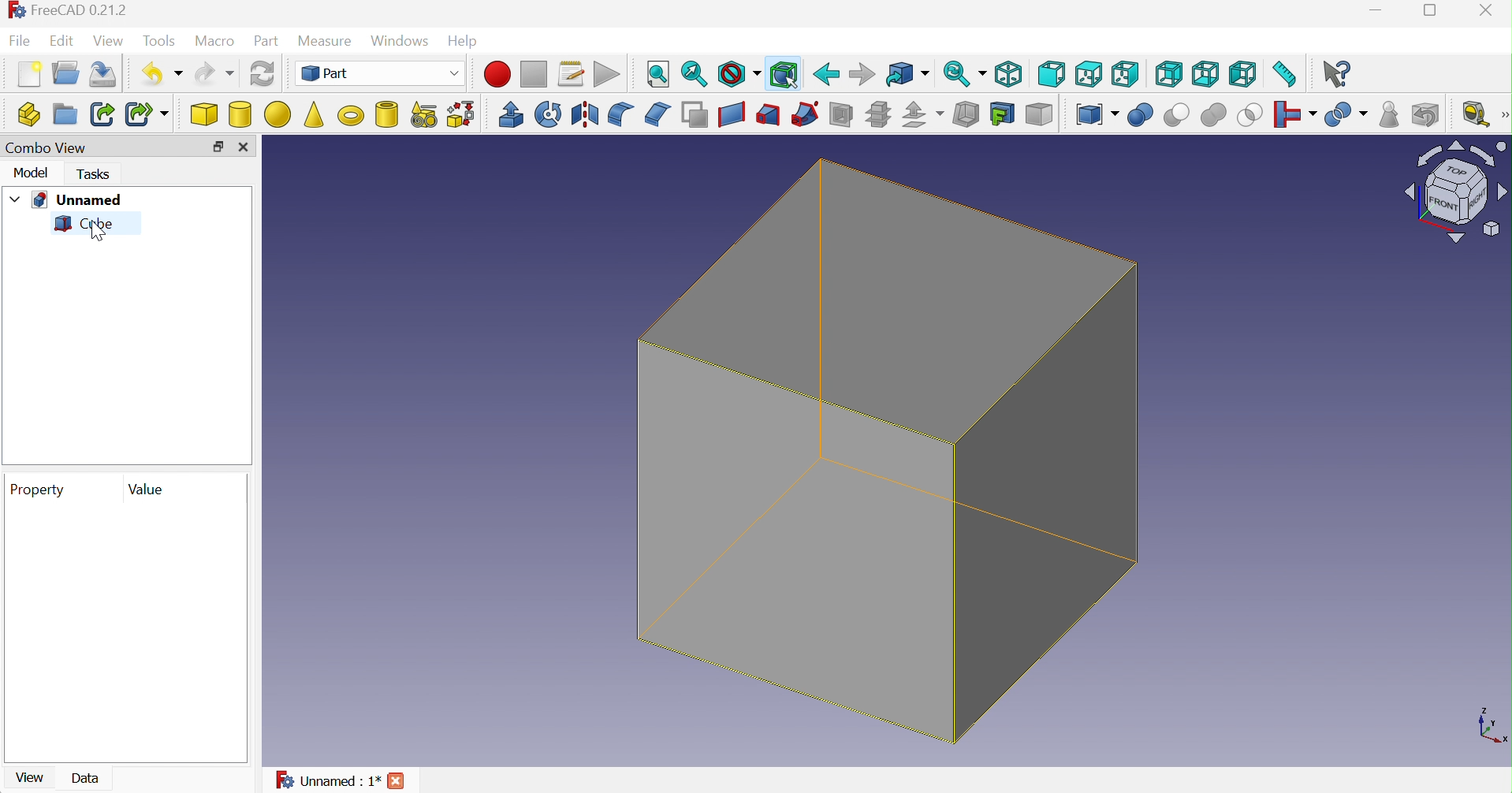 The width and height of the screenshot is (1512, 793). I want to click on Drop down, so click(16, 199).